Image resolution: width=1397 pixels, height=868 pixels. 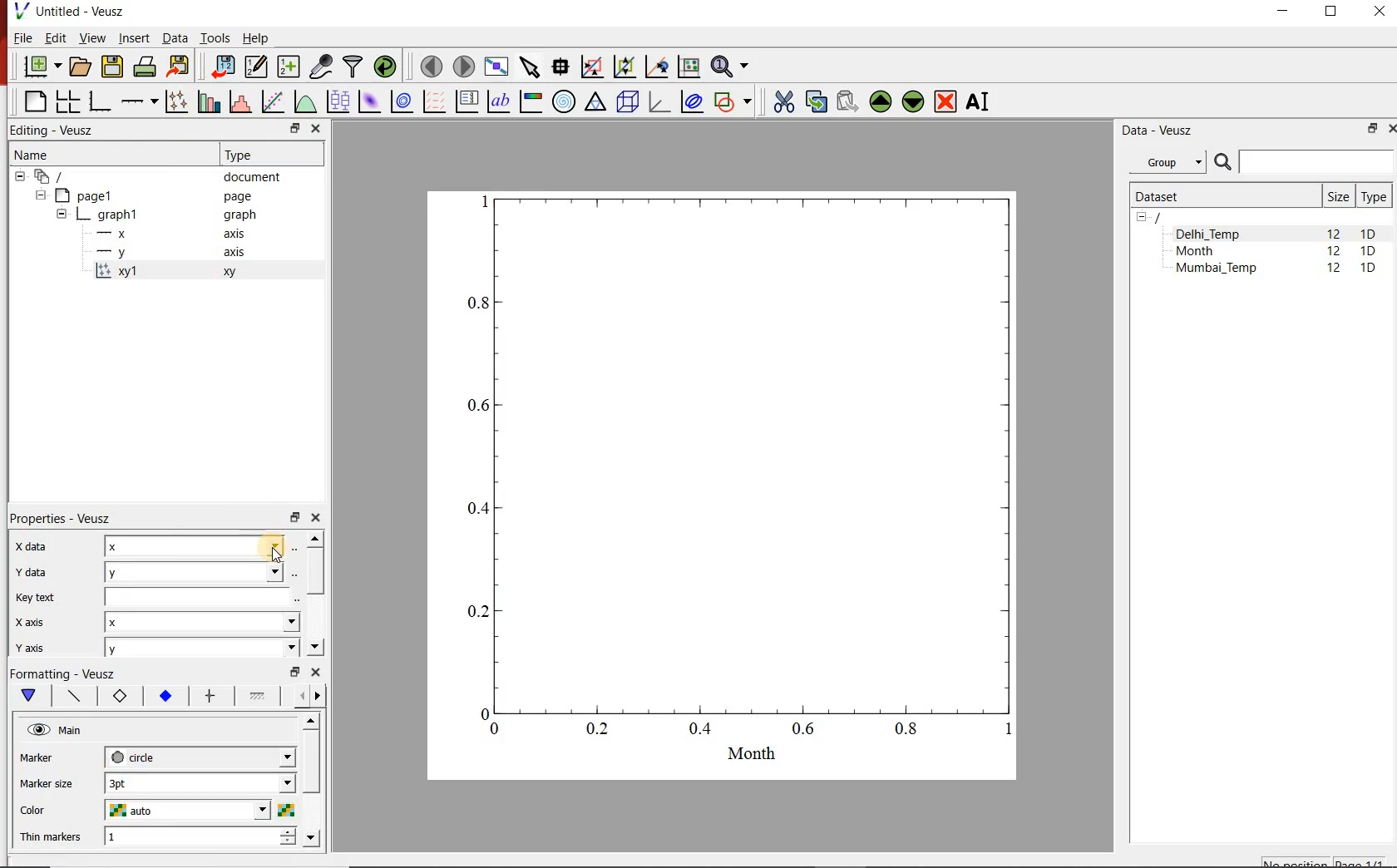 What do you see at coordinates (201, 649) in the screenshot?
I see `y` at bounding box center [201, 649].